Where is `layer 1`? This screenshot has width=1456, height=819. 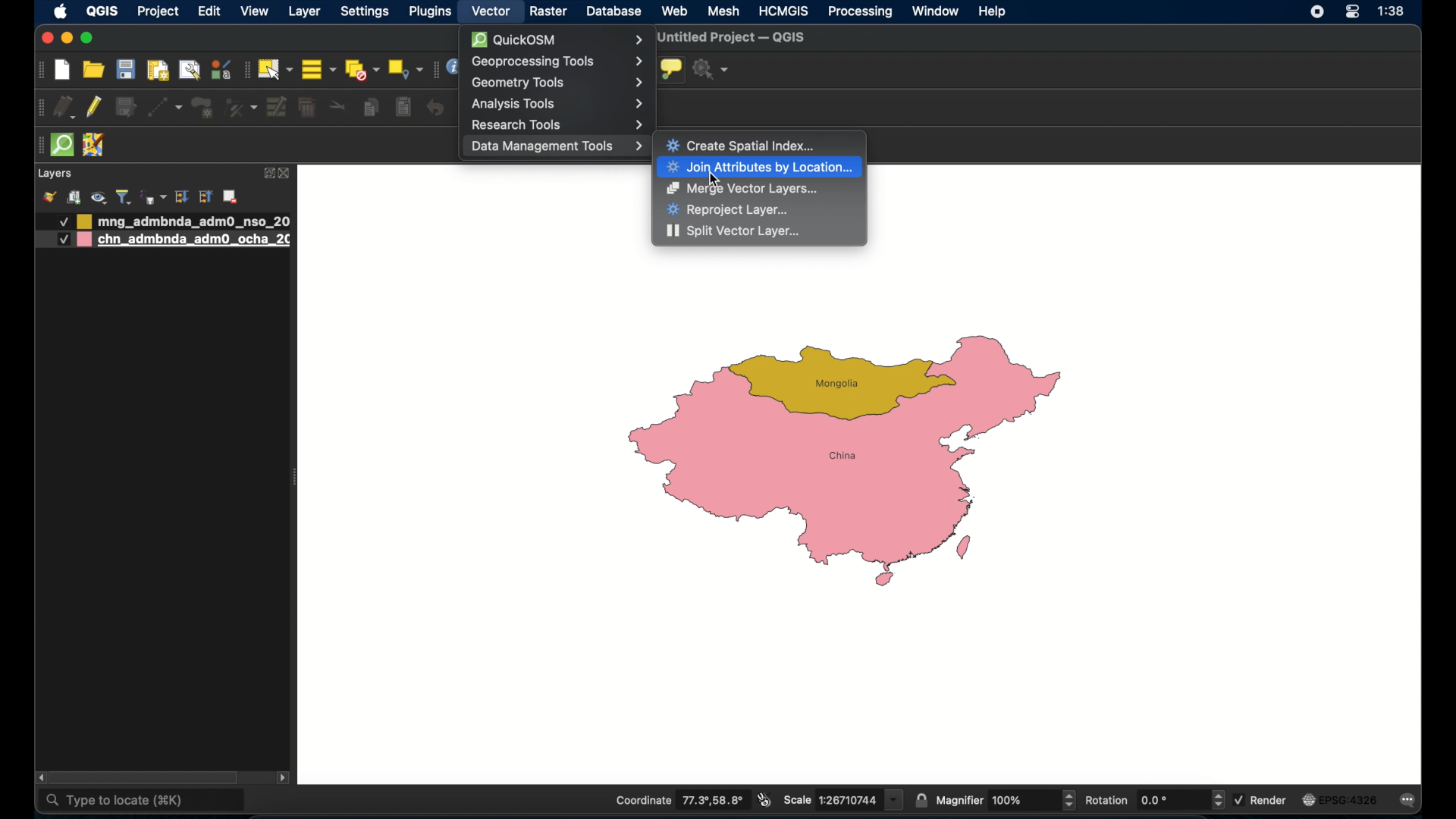
layer 1 is located at coordinates (186, 221).